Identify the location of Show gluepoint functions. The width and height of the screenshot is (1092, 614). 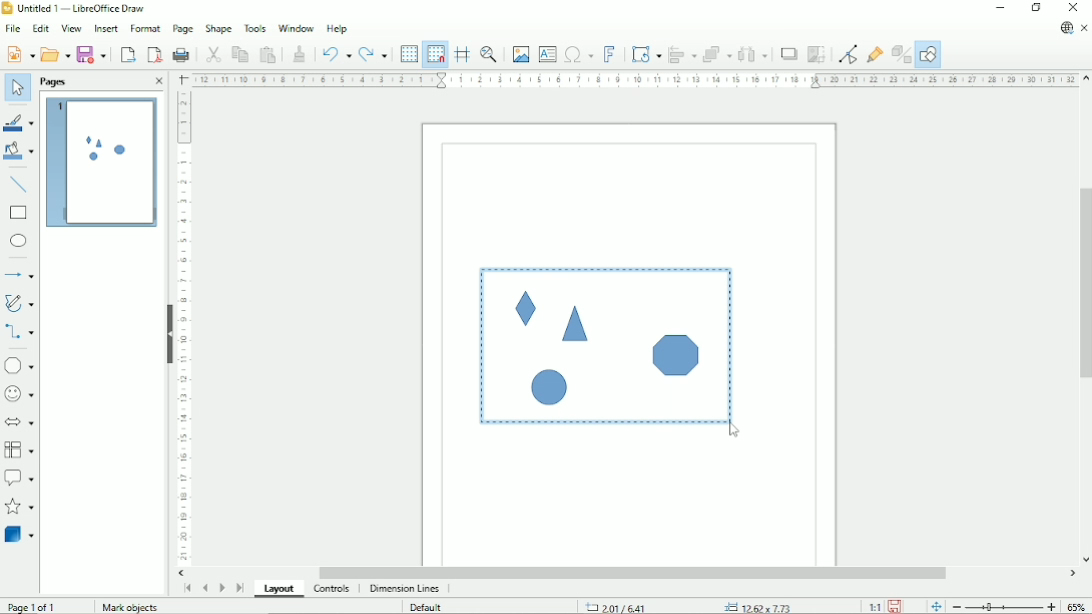
(874, 52).